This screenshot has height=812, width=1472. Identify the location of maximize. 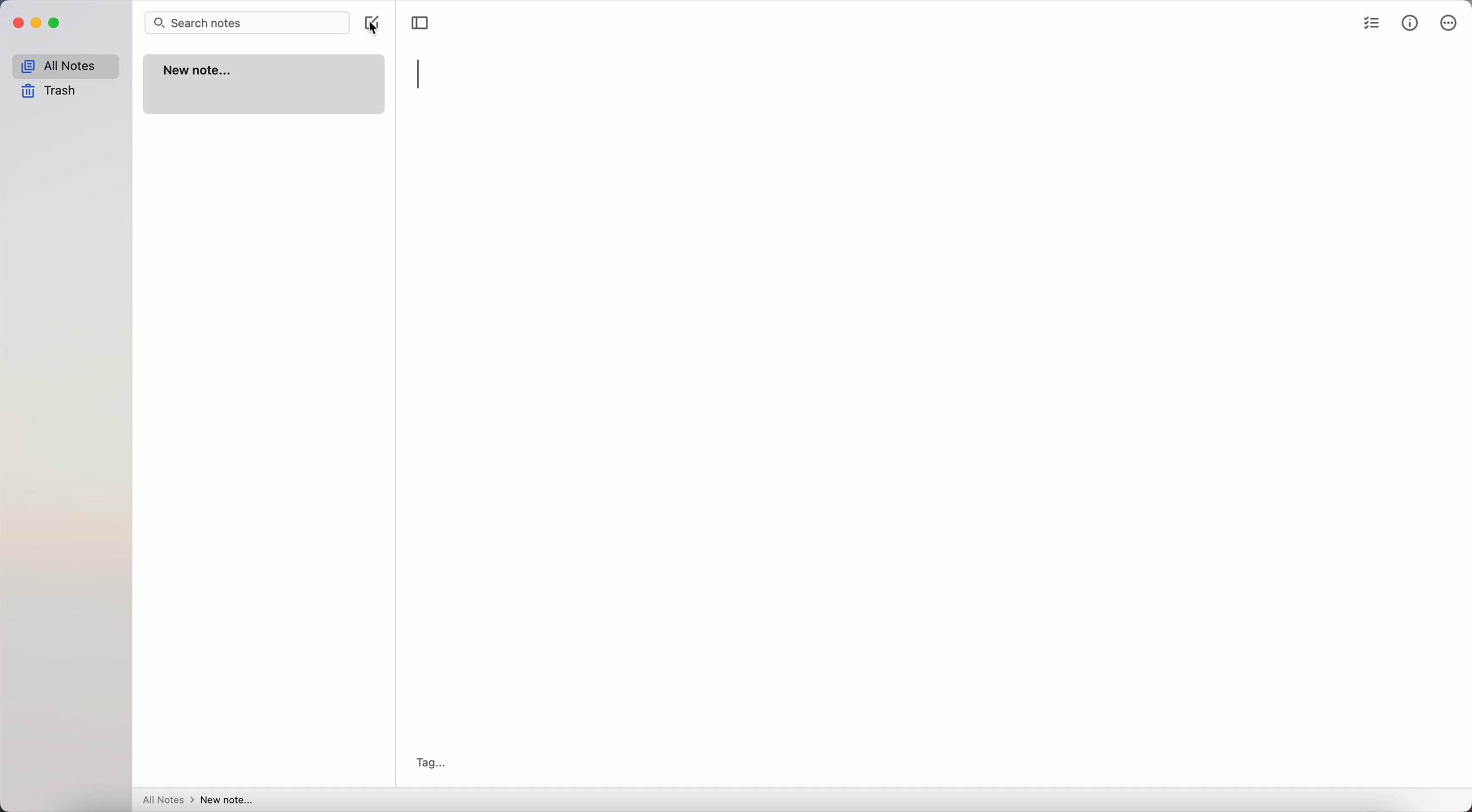
(54, 23).